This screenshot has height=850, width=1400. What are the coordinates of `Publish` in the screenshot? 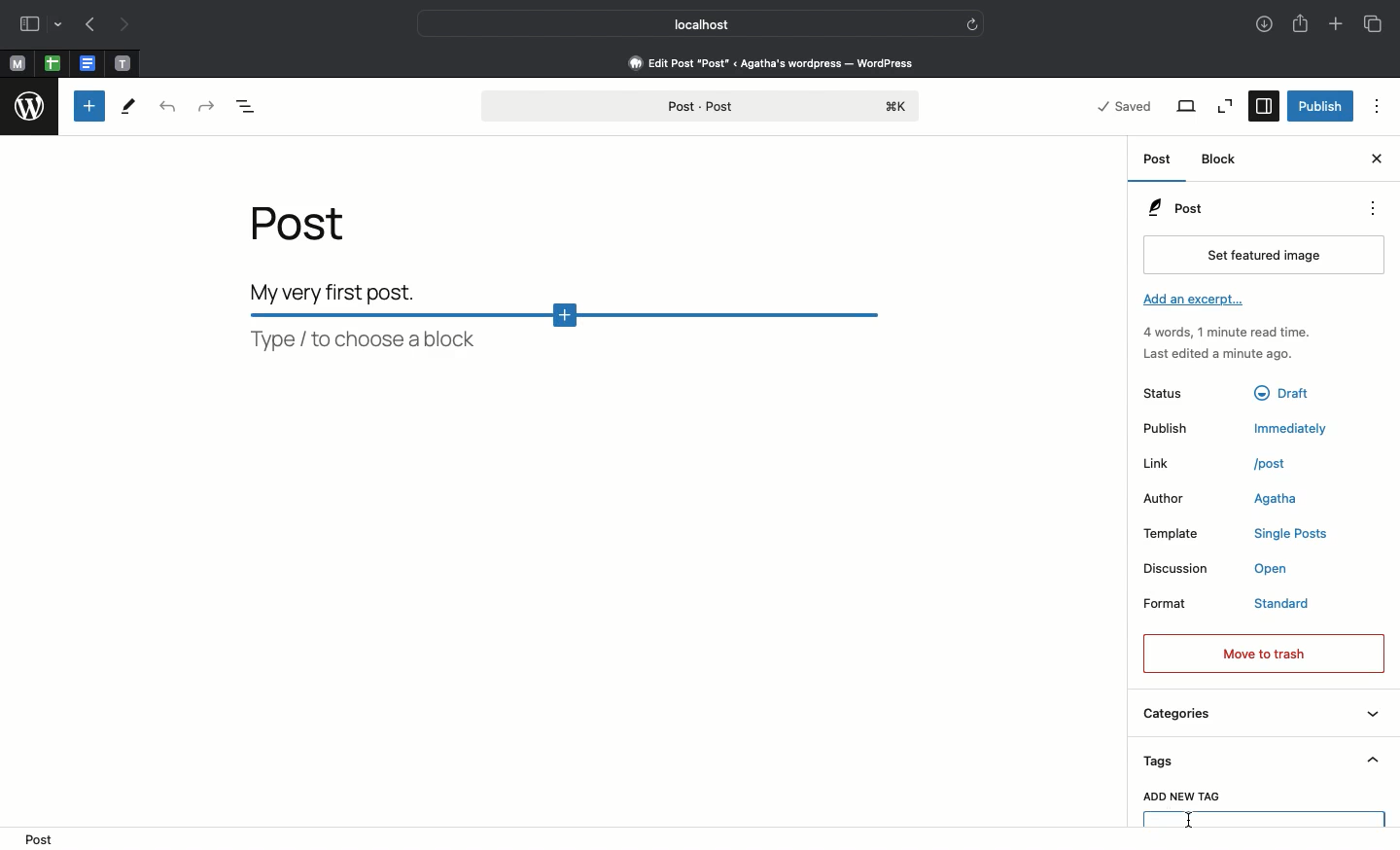 It's located at (1319, 105).